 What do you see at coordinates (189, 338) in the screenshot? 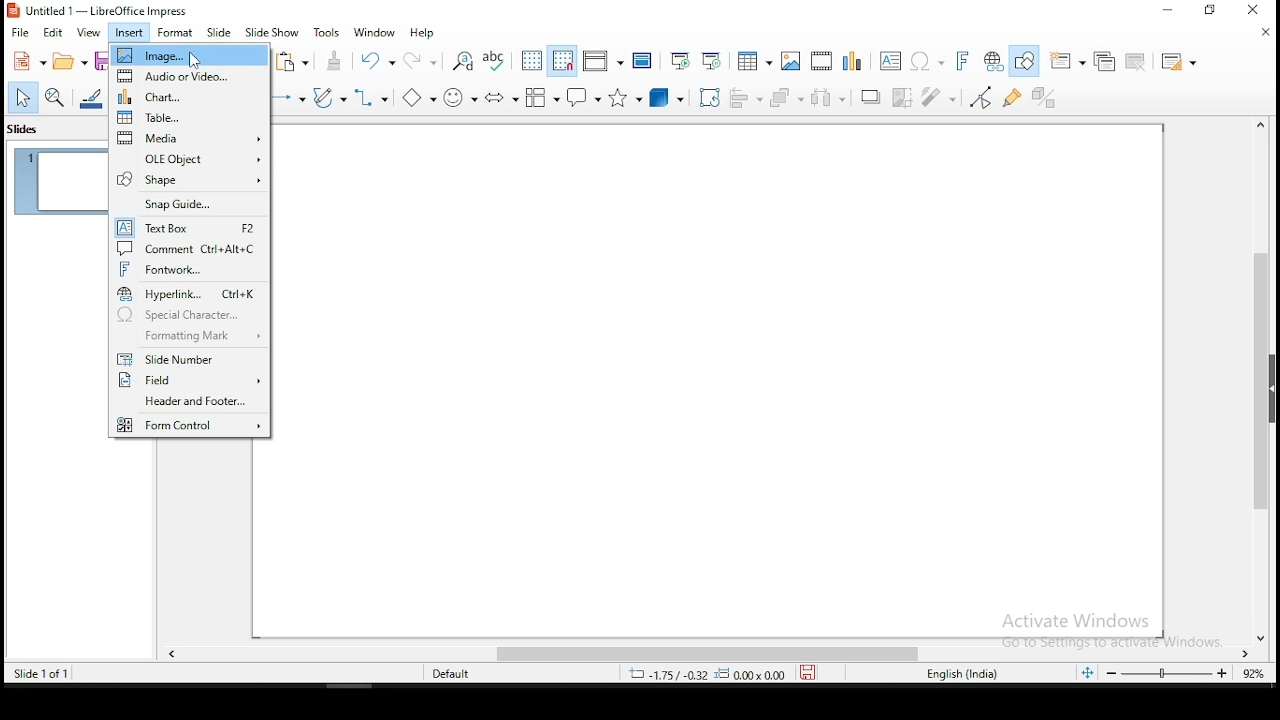
I see `formatting mark` at bounding box center [189, 338].